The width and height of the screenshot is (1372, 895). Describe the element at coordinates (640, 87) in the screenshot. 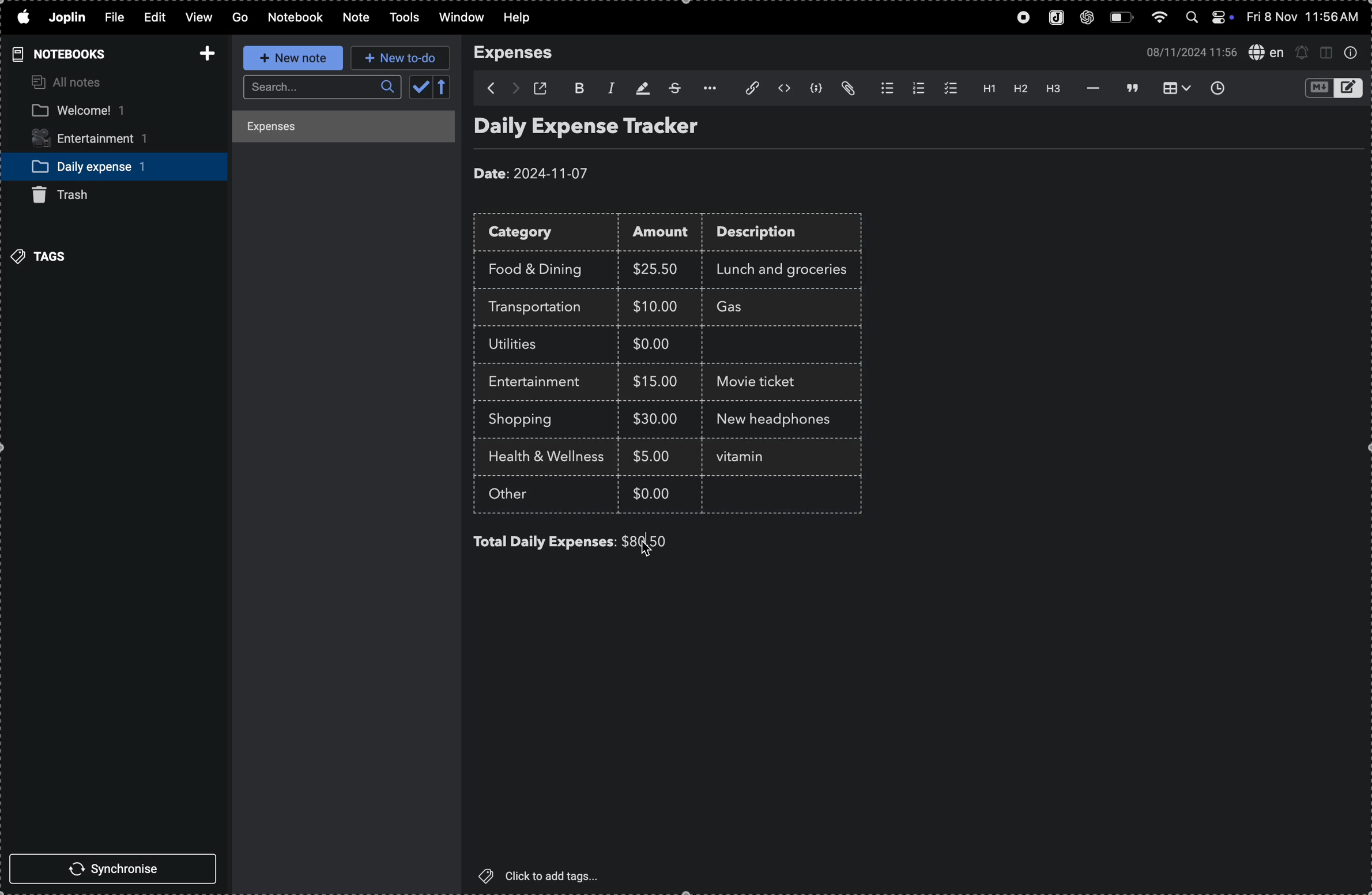

I see `highlight` at that location.